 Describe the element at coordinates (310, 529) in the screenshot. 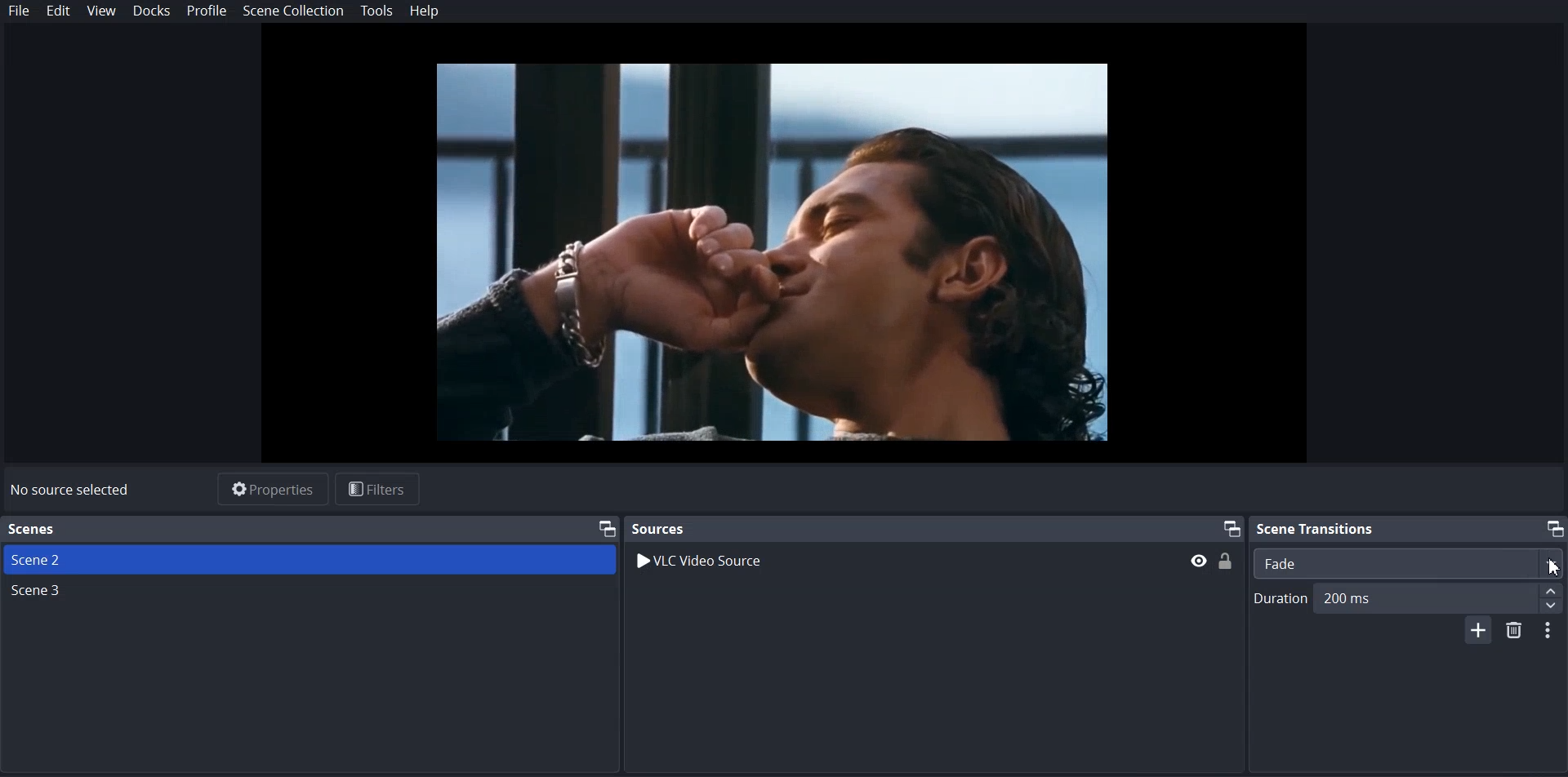

I see `Text 1` at that location.